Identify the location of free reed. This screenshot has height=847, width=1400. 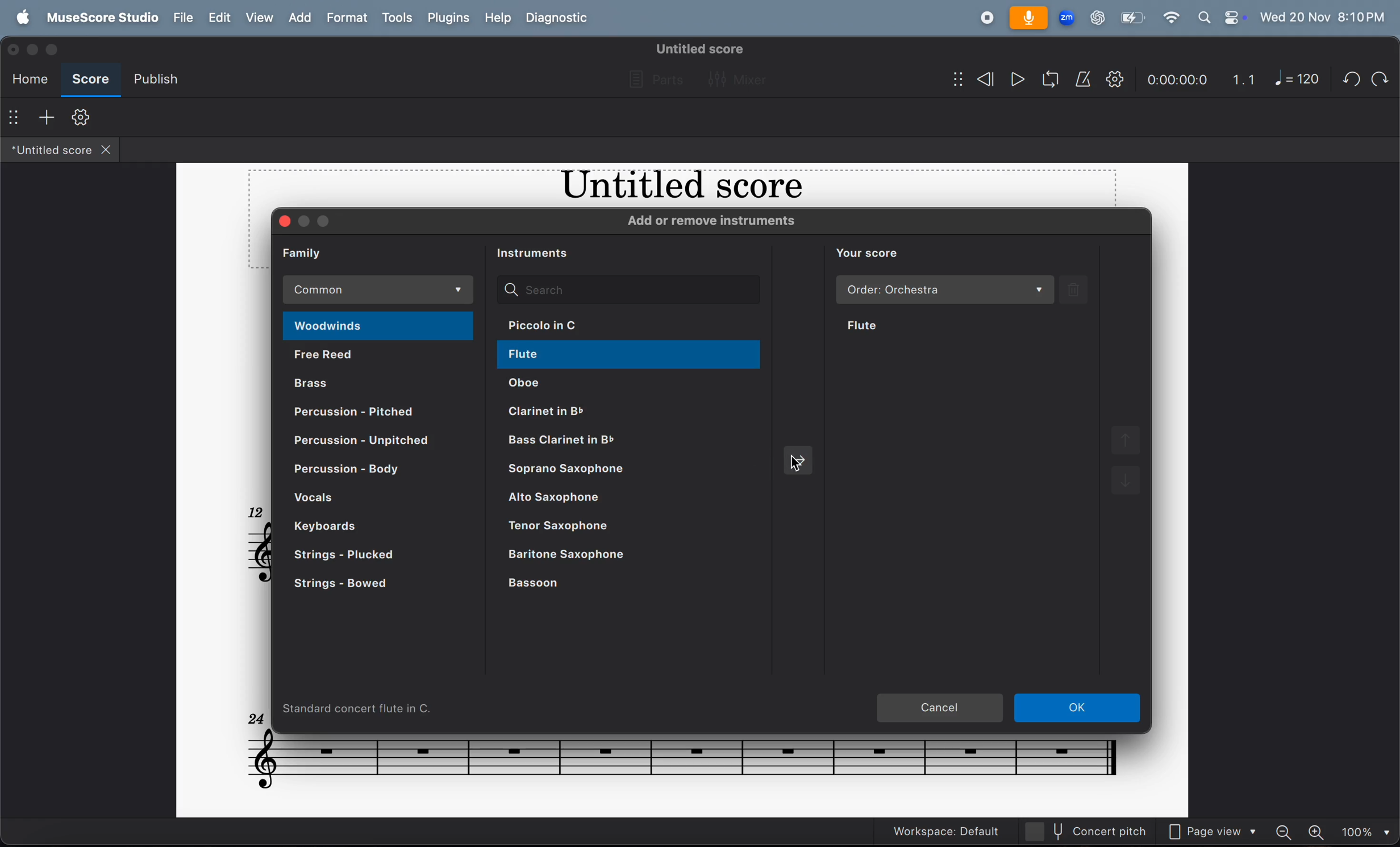
(383, 357).